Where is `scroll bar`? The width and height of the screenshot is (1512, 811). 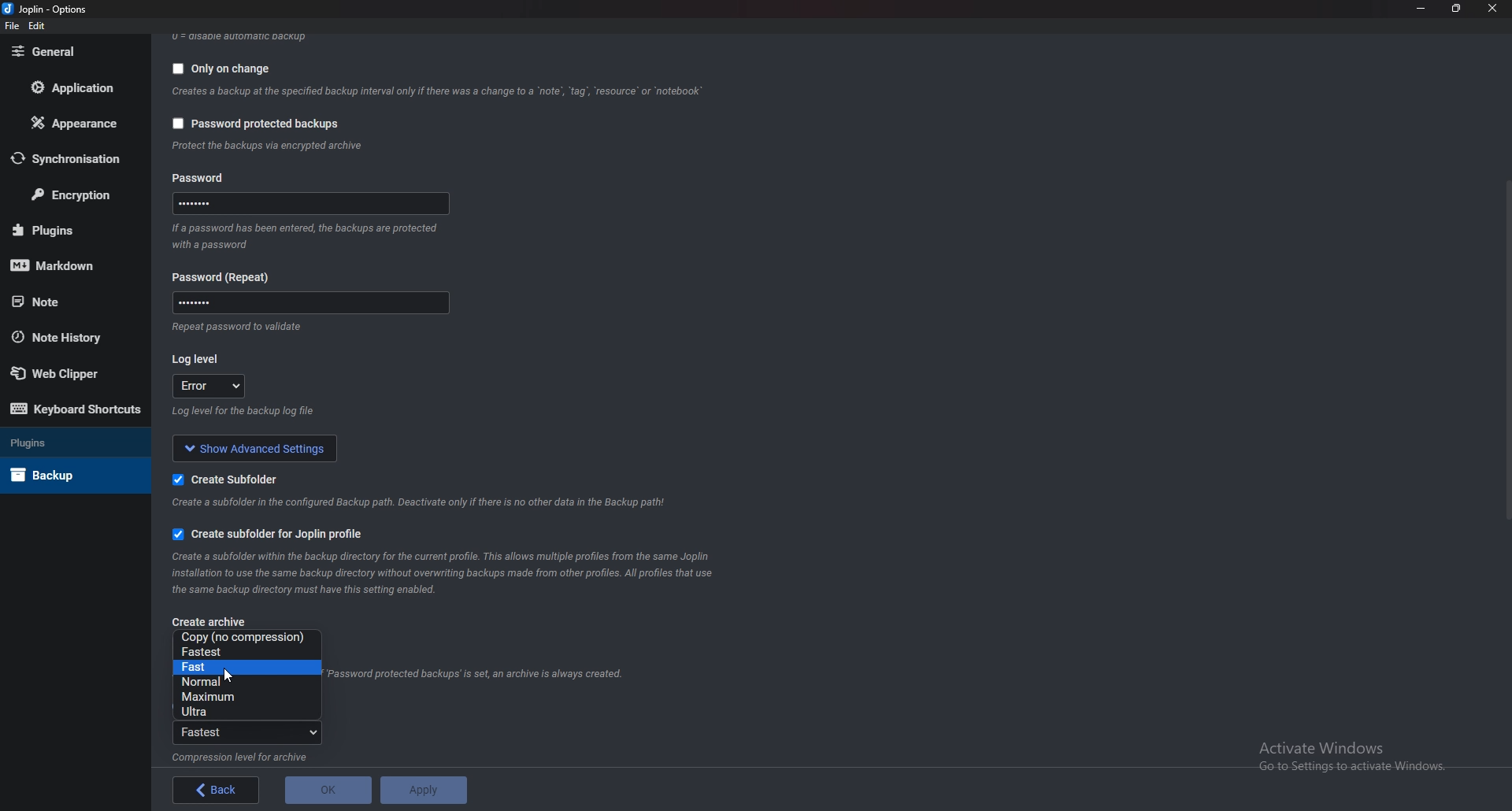 scroll bar is located at coordinates (1506, 352).